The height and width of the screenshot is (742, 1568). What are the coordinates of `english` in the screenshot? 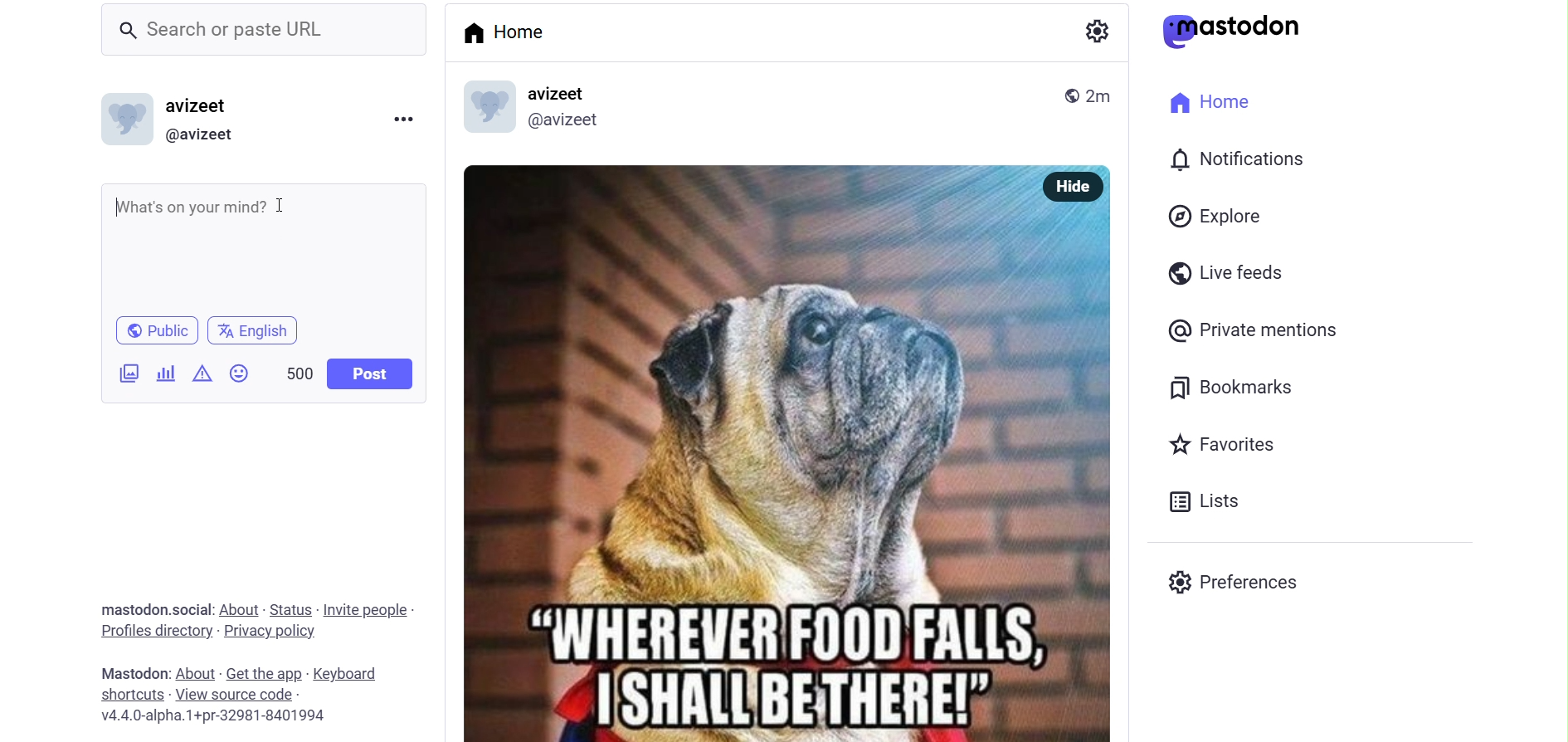 It's located at (260, 331).